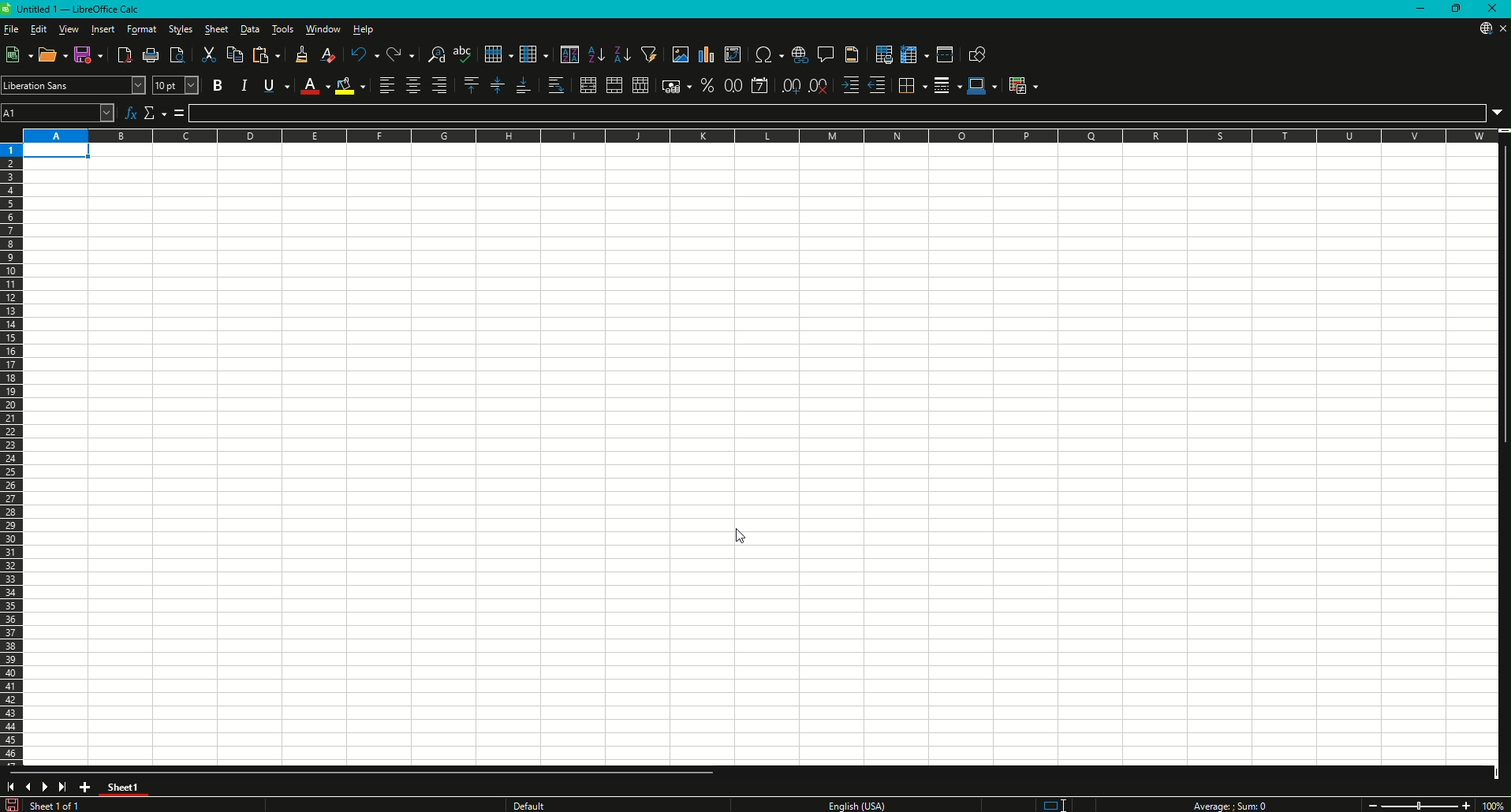 The height and width of the screenshot is (812, 1511). I want to click on Decrease Indent, so click(878, 85).